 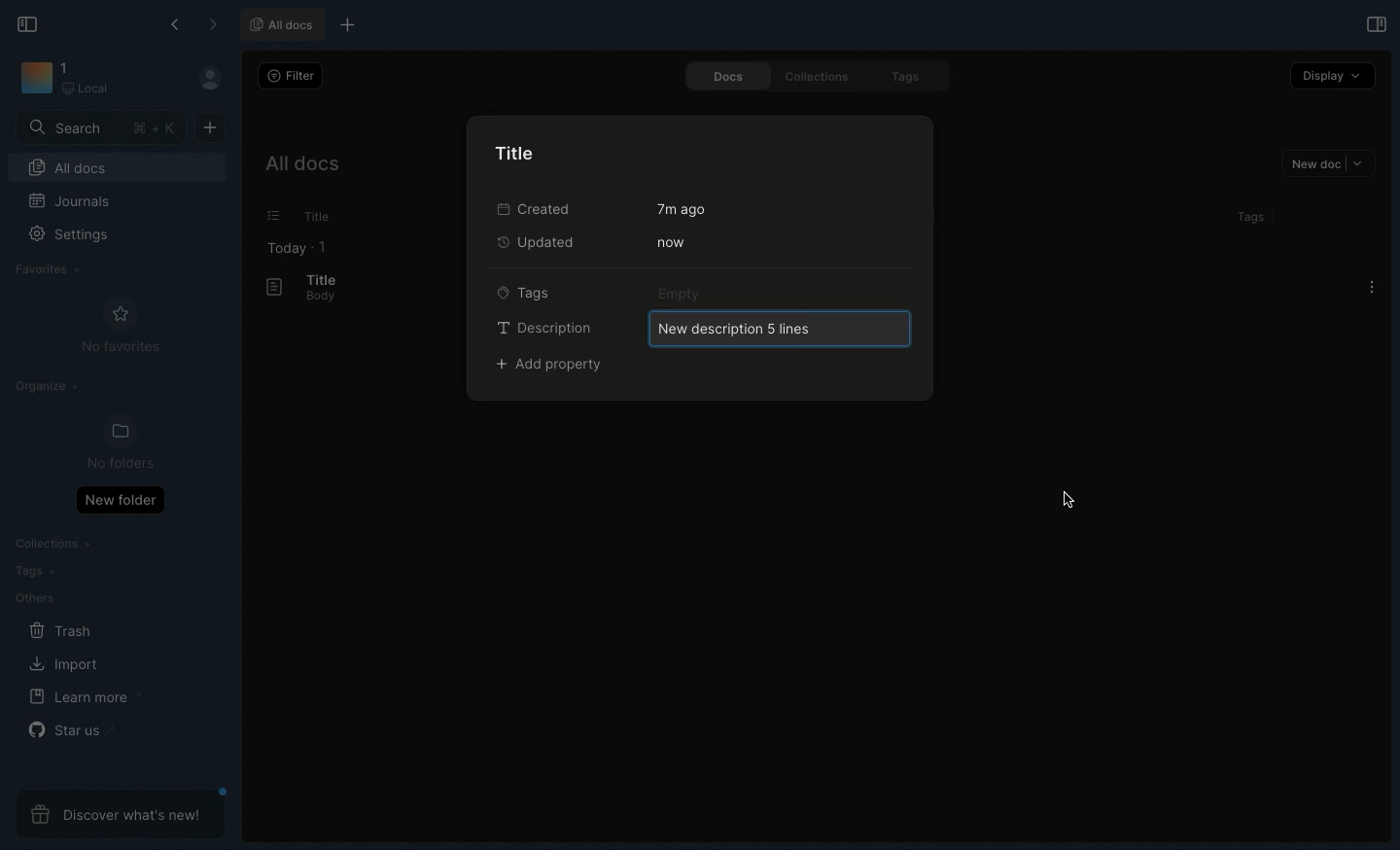 I want to click on Back, so click(x=177, y=24).